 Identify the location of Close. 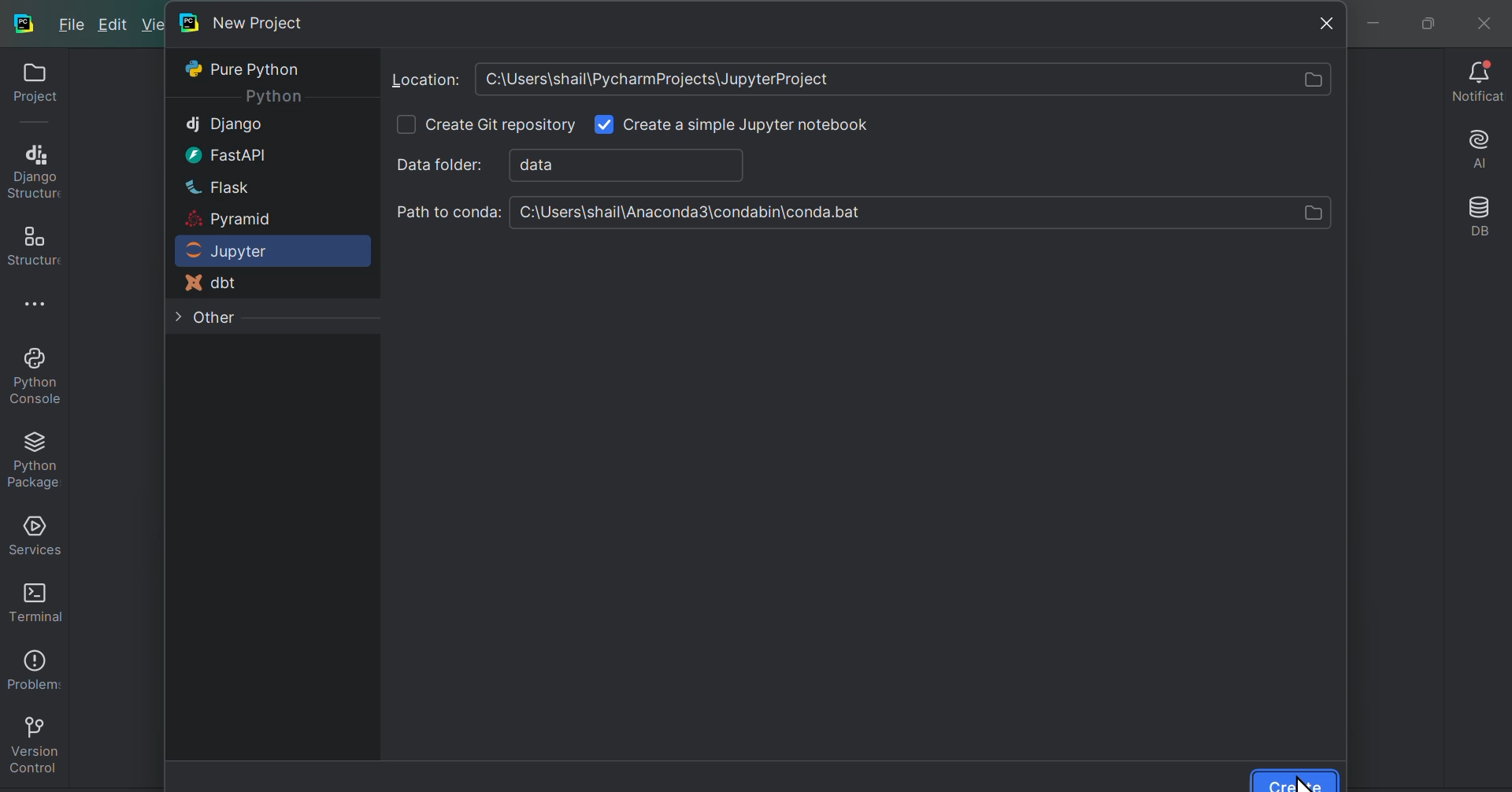
(1316, 28).